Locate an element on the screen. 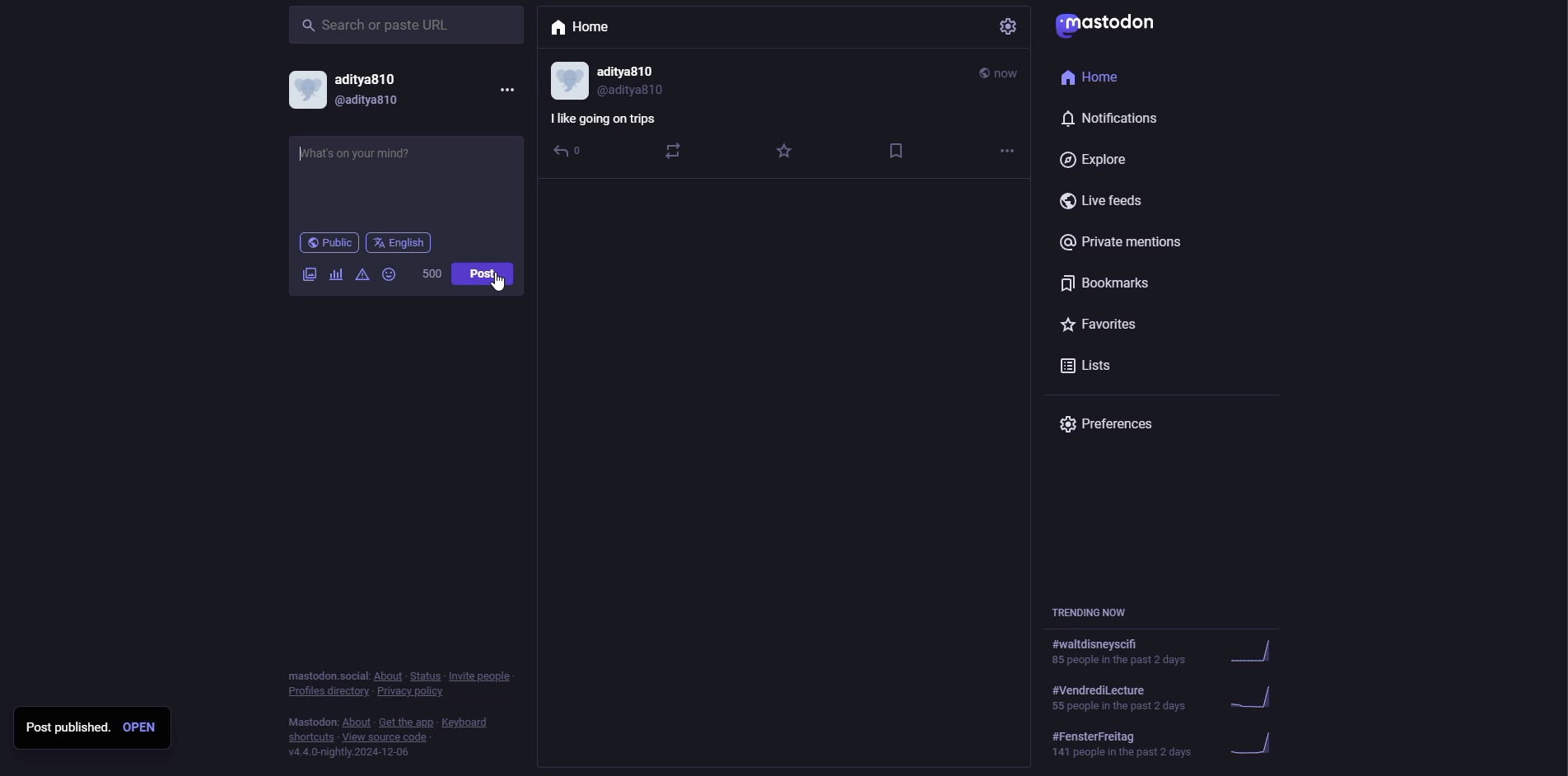  lists is located at coordinates (1096, 367).